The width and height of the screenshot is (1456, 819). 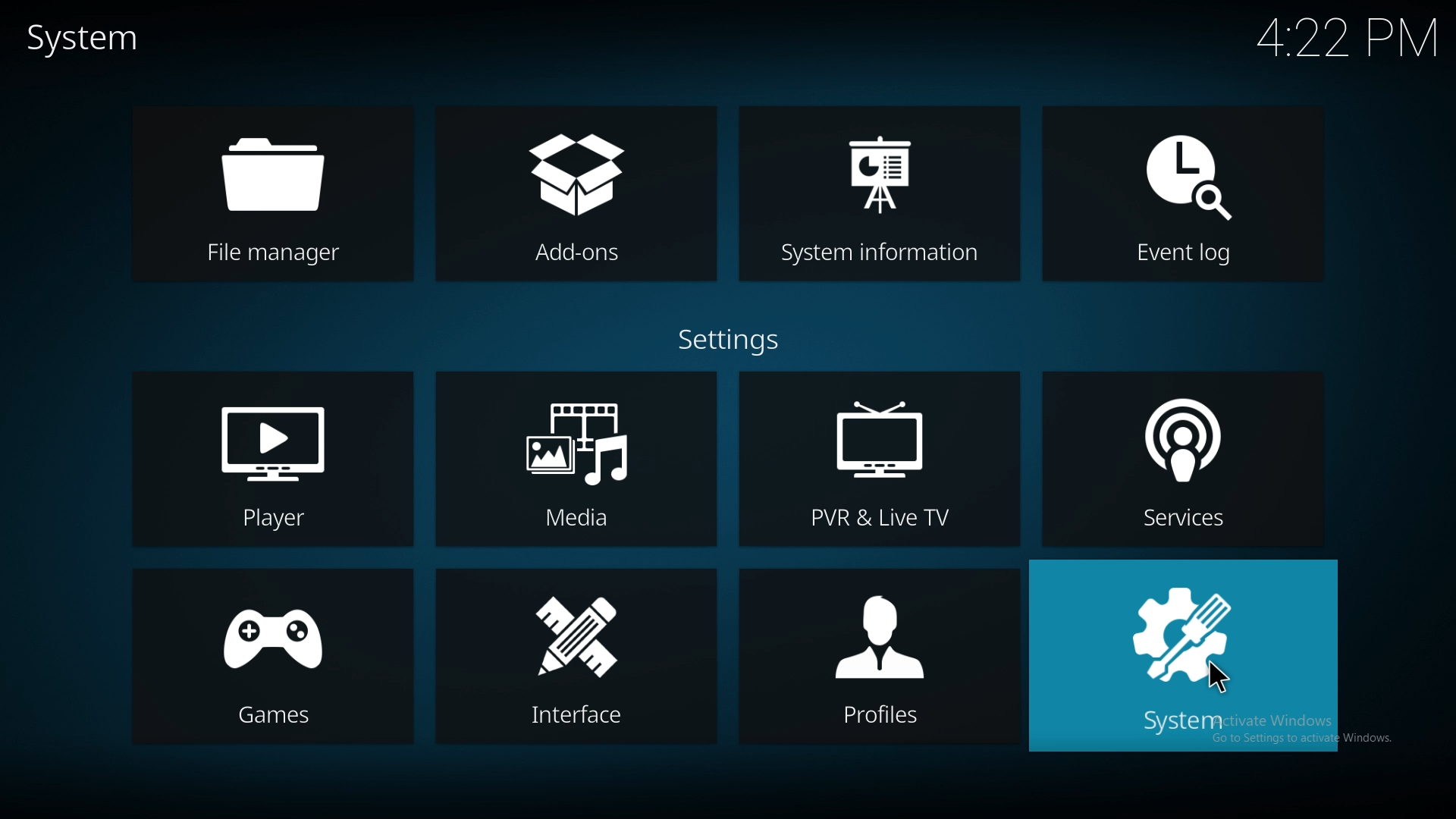 What do you see at coordinates (576, 659) in the screenshot?
I see `interface` at bounding box center [576, 659].